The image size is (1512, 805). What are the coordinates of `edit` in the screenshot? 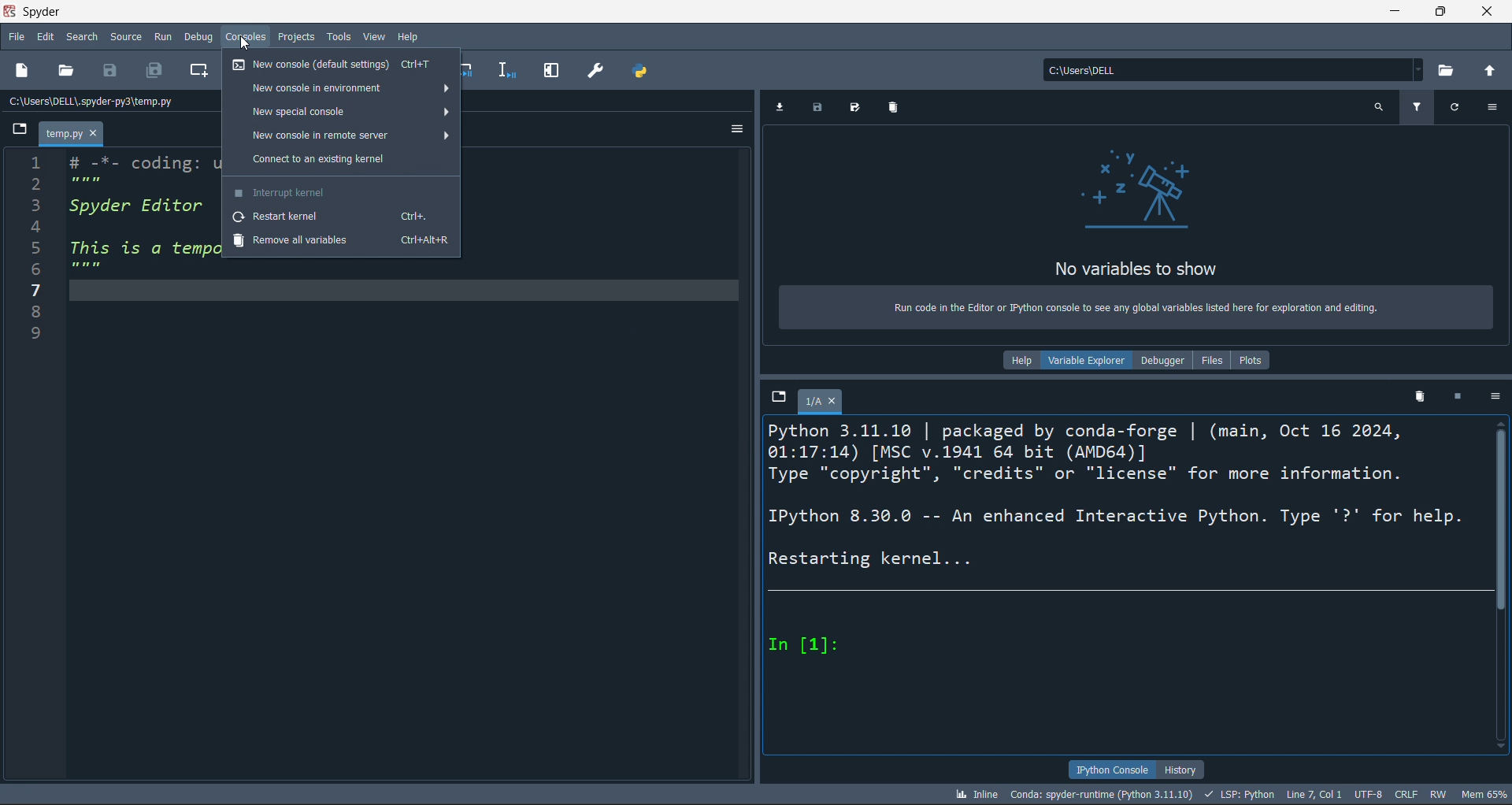 It's located at (48, 35).